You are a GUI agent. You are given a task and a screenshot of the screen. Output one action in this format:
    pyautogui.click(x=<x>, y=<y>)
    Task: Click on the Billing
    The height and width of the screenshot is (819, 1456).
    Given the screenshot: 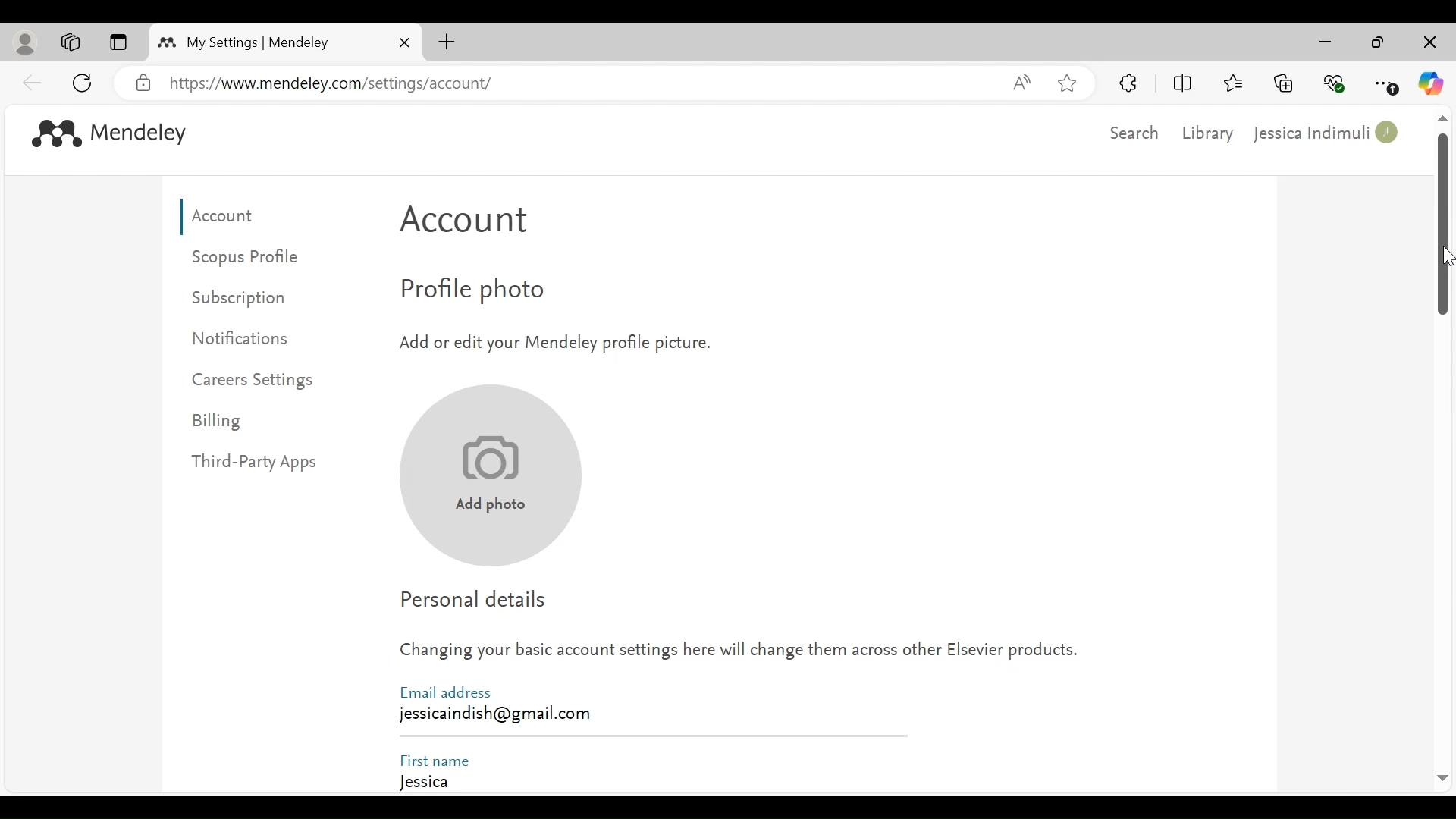 What is the action you would take?
    pyautogui.click(x=220, y=422)
    